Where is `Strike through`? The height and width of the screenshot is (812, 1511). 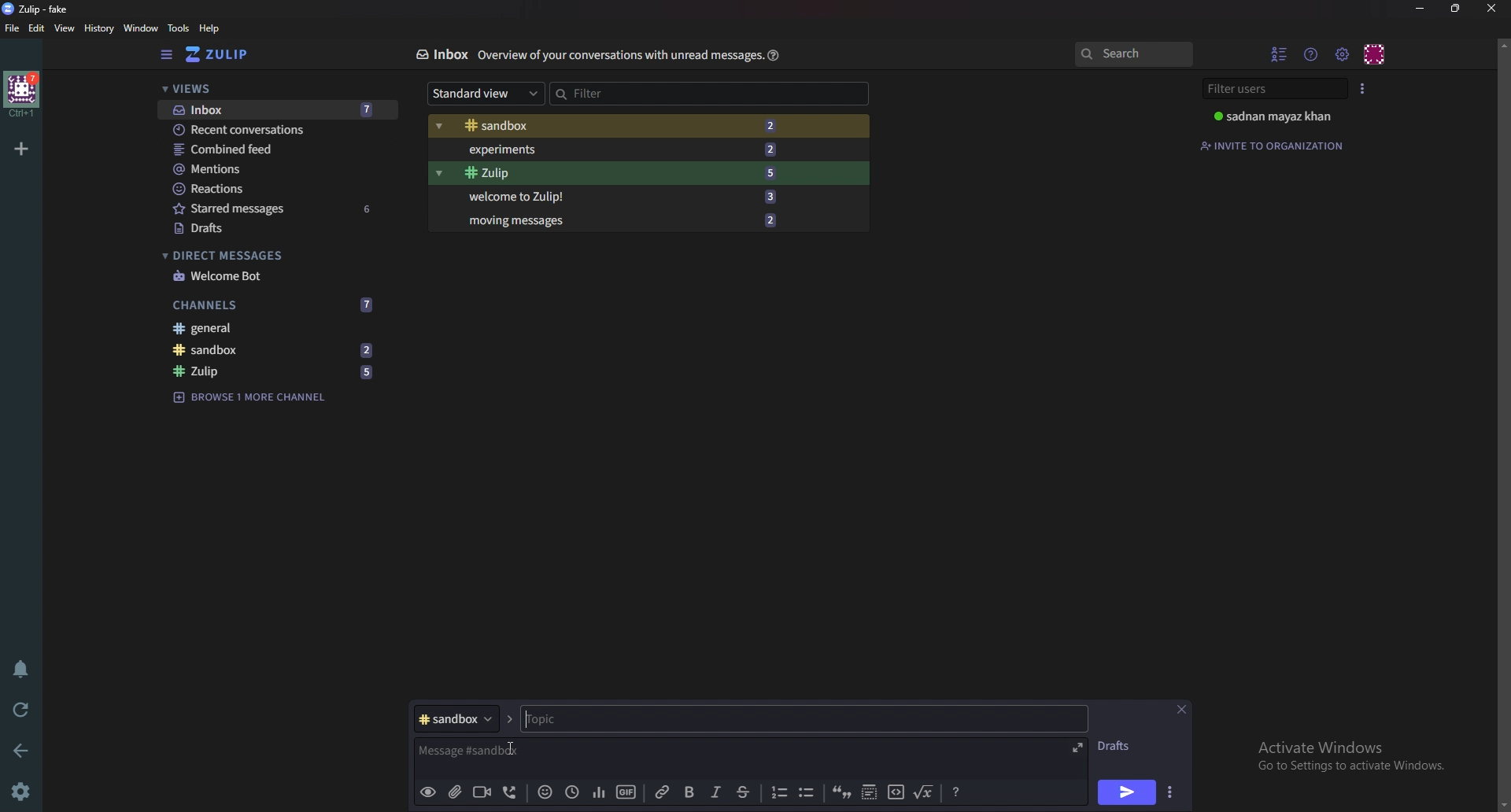
Strike through is located at coordinates (743, 792).